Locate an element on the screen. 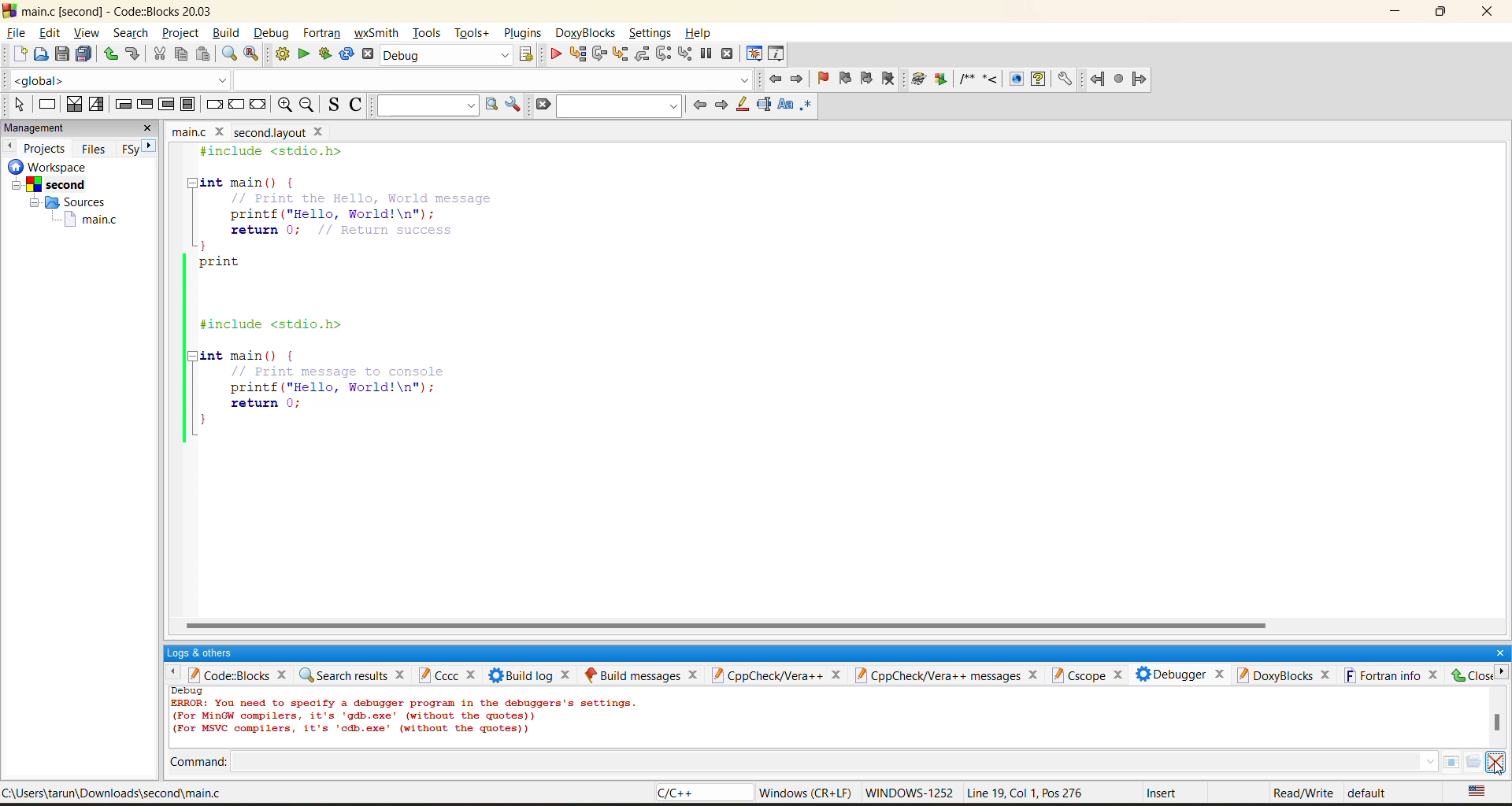 This screenshot has width=1512, height=806. find is located at coordinates (227, 56).